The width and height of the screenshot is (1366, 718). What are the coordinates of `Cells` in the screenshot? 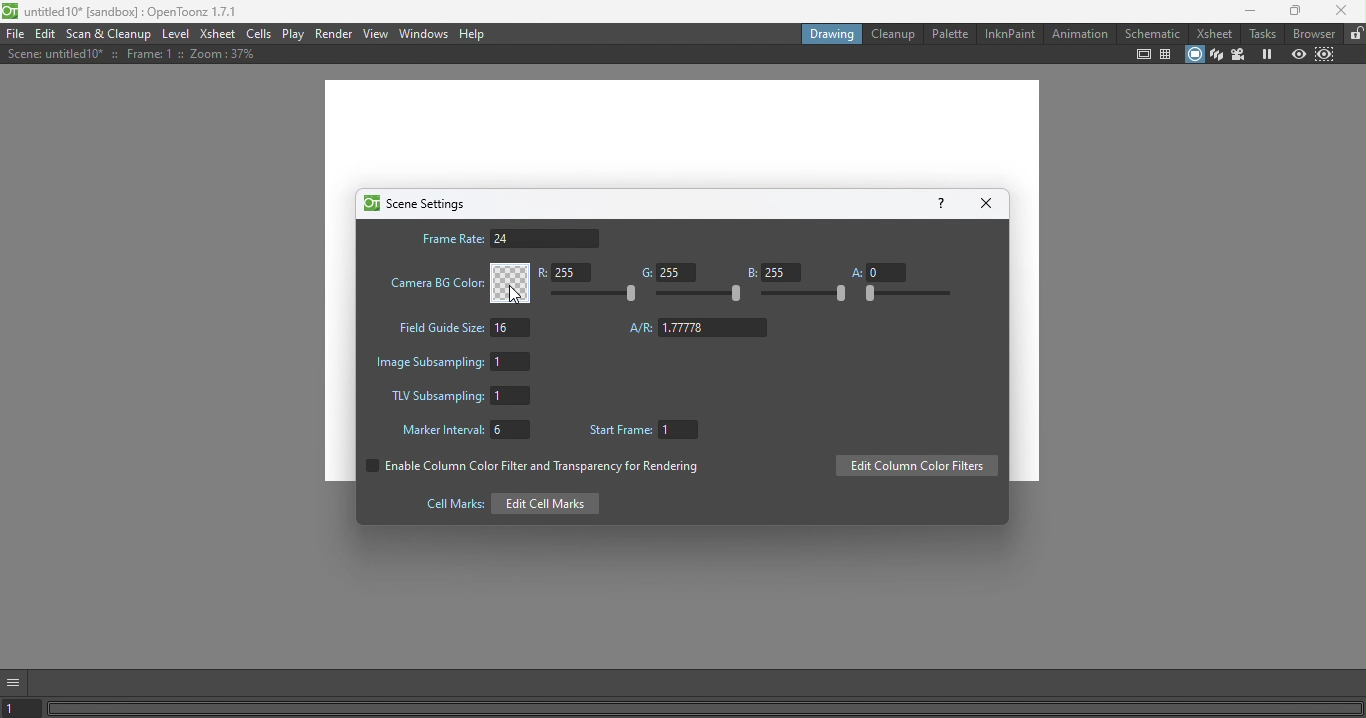 It's located at (260, 34).